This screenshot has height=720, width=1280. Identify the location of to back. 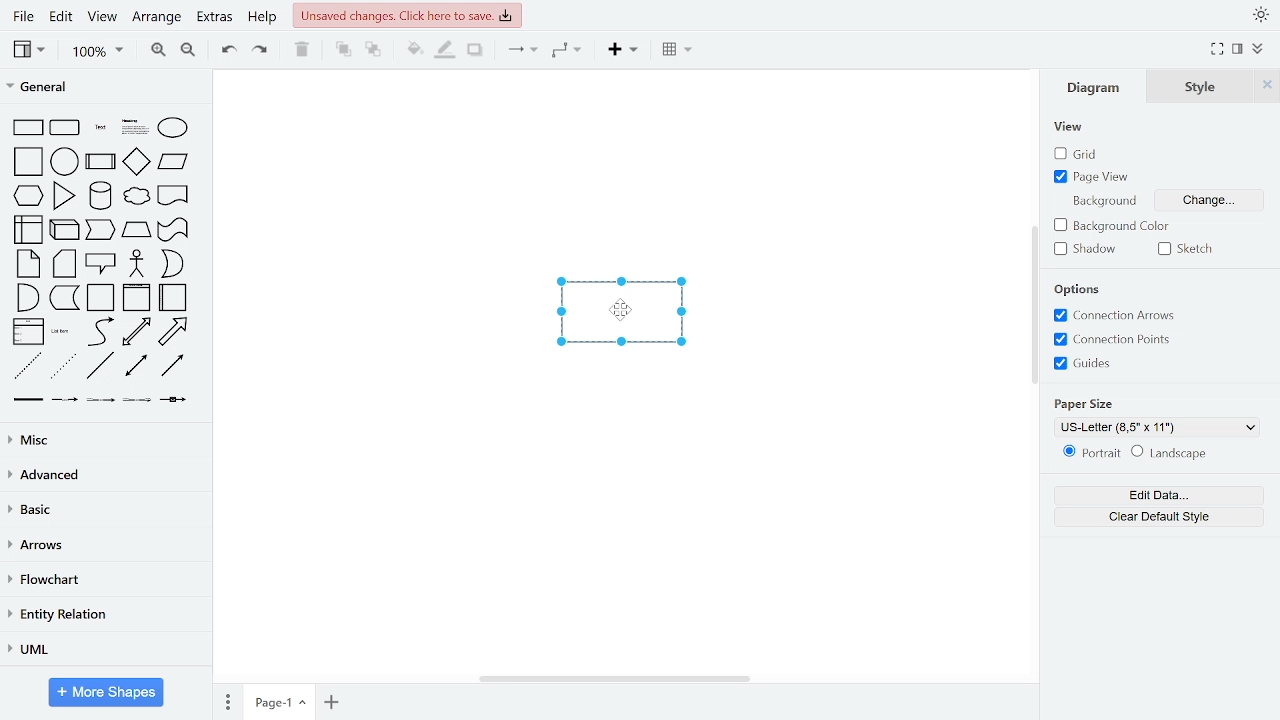
(374, 52).